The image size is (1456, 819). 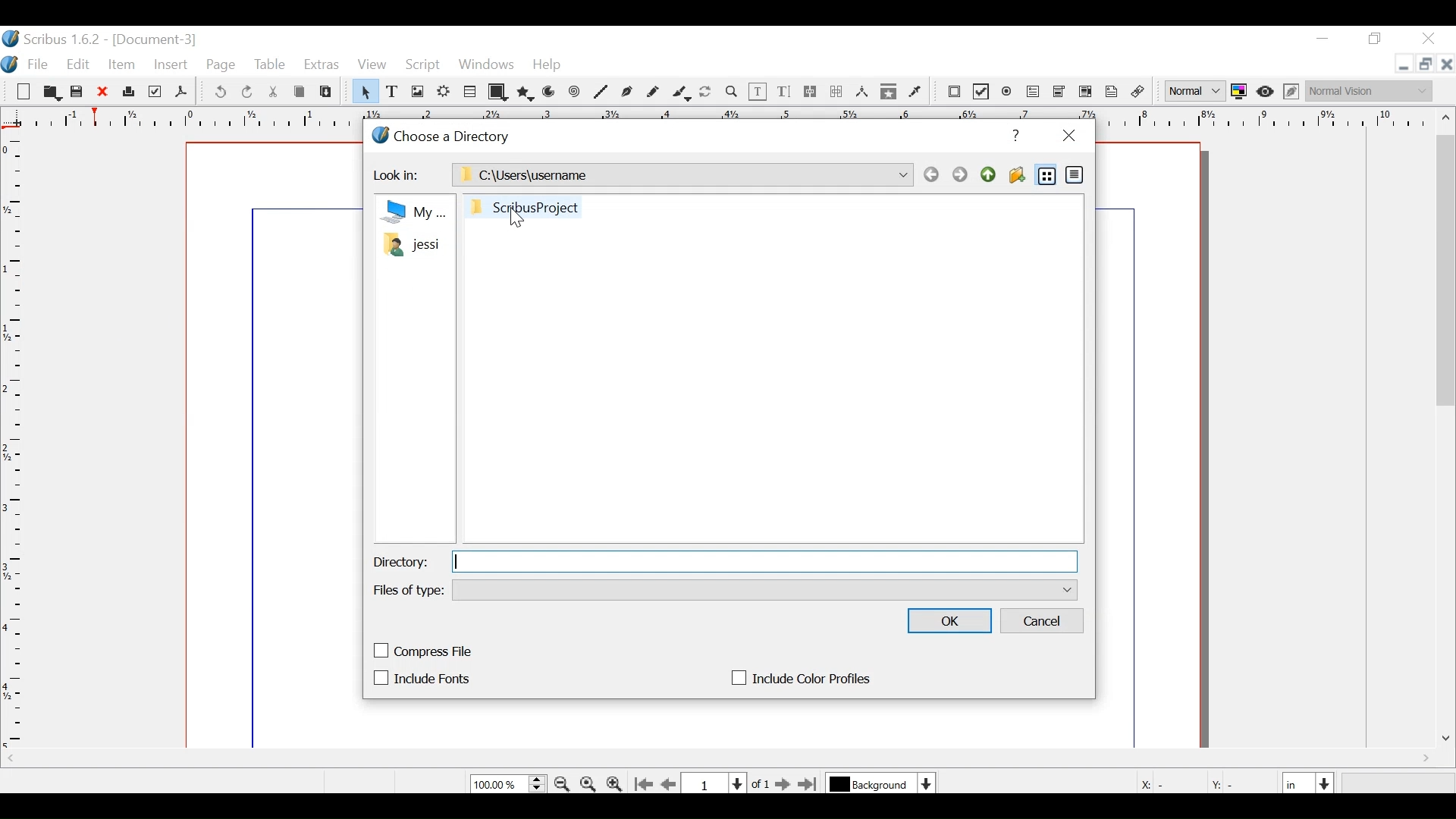 What do you see at coordinates (425, 677) in the screenshot?
I see `(un)check Include Fonts` at bounding box center [425, 677].